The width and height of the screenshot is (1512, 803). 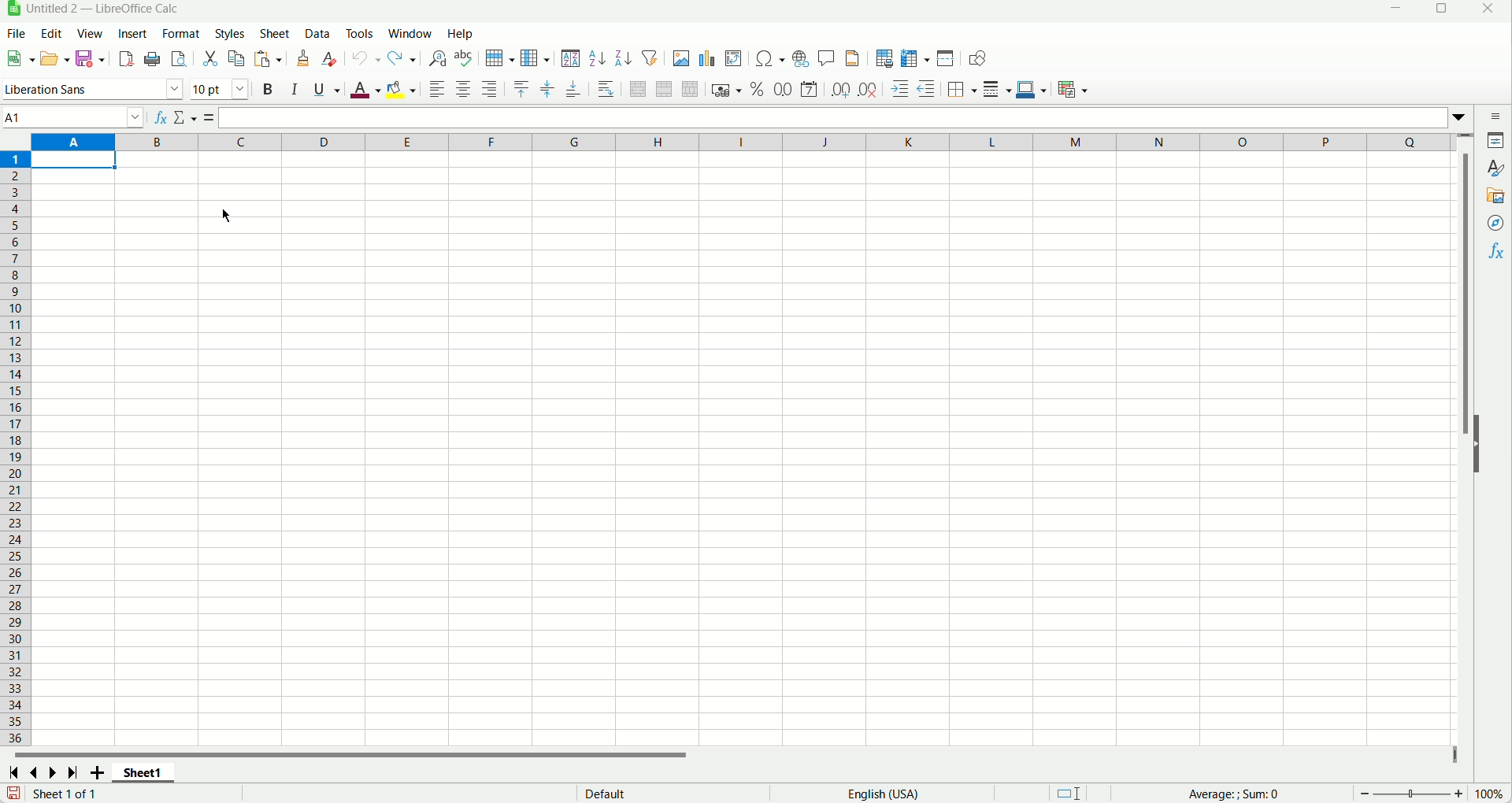 I want to click on Formula, so click(x=212, y=119).